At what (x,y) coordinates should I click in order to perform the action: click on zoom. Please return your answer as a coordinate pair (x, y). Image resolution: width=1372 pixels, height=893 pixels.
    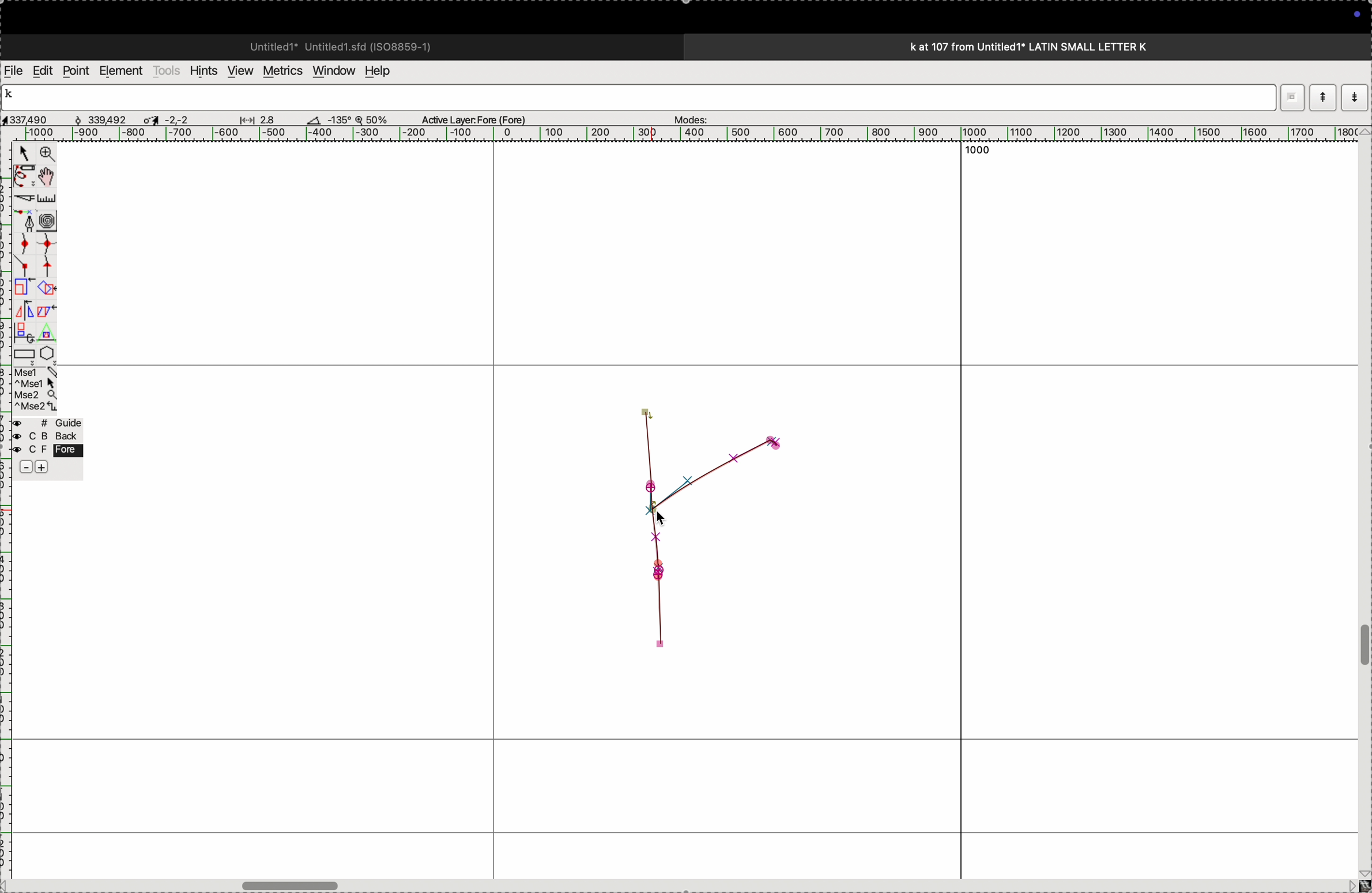
    Looking at the image, I should click on (377, 119).